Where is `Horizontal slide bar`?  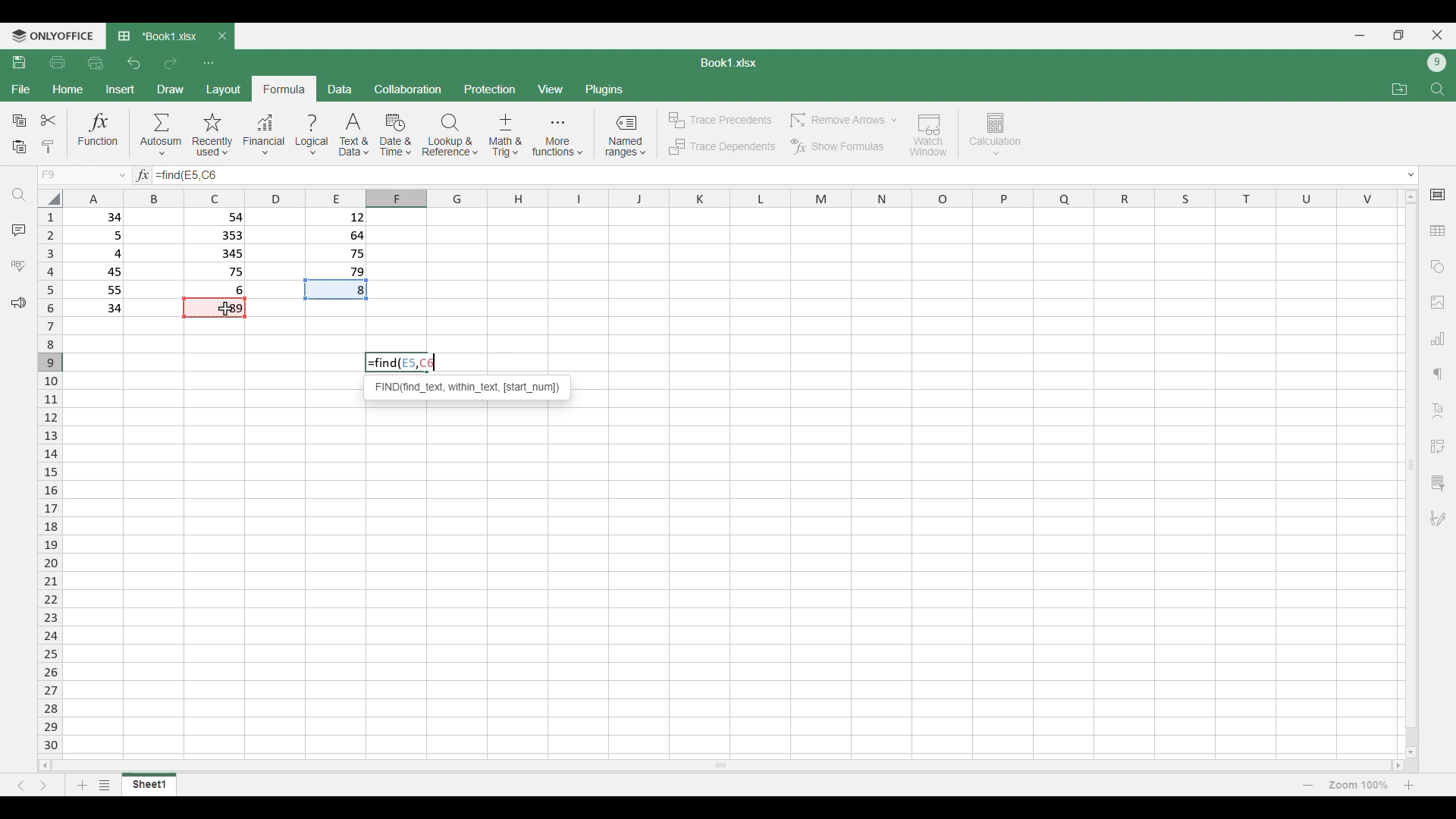
Horizontal slide bar is located at coordinates (721, 764).